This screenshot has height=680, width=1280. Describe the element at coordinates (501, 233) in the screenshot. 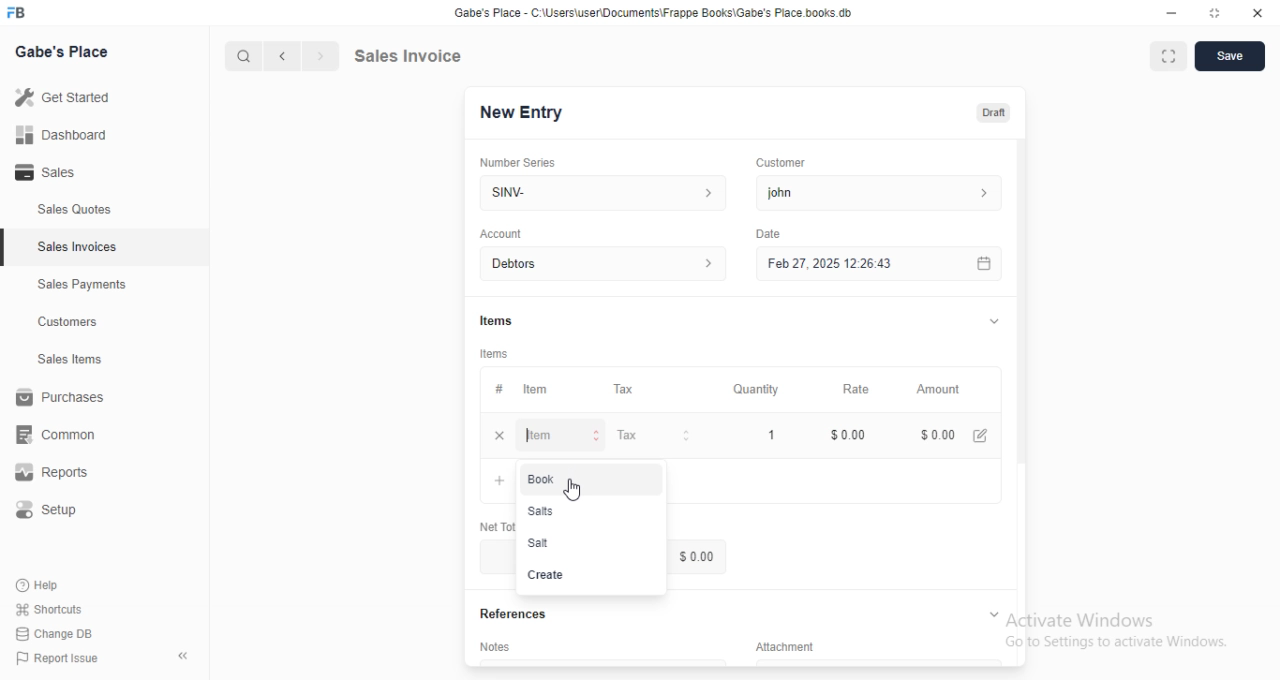

I see `Account` at that location.